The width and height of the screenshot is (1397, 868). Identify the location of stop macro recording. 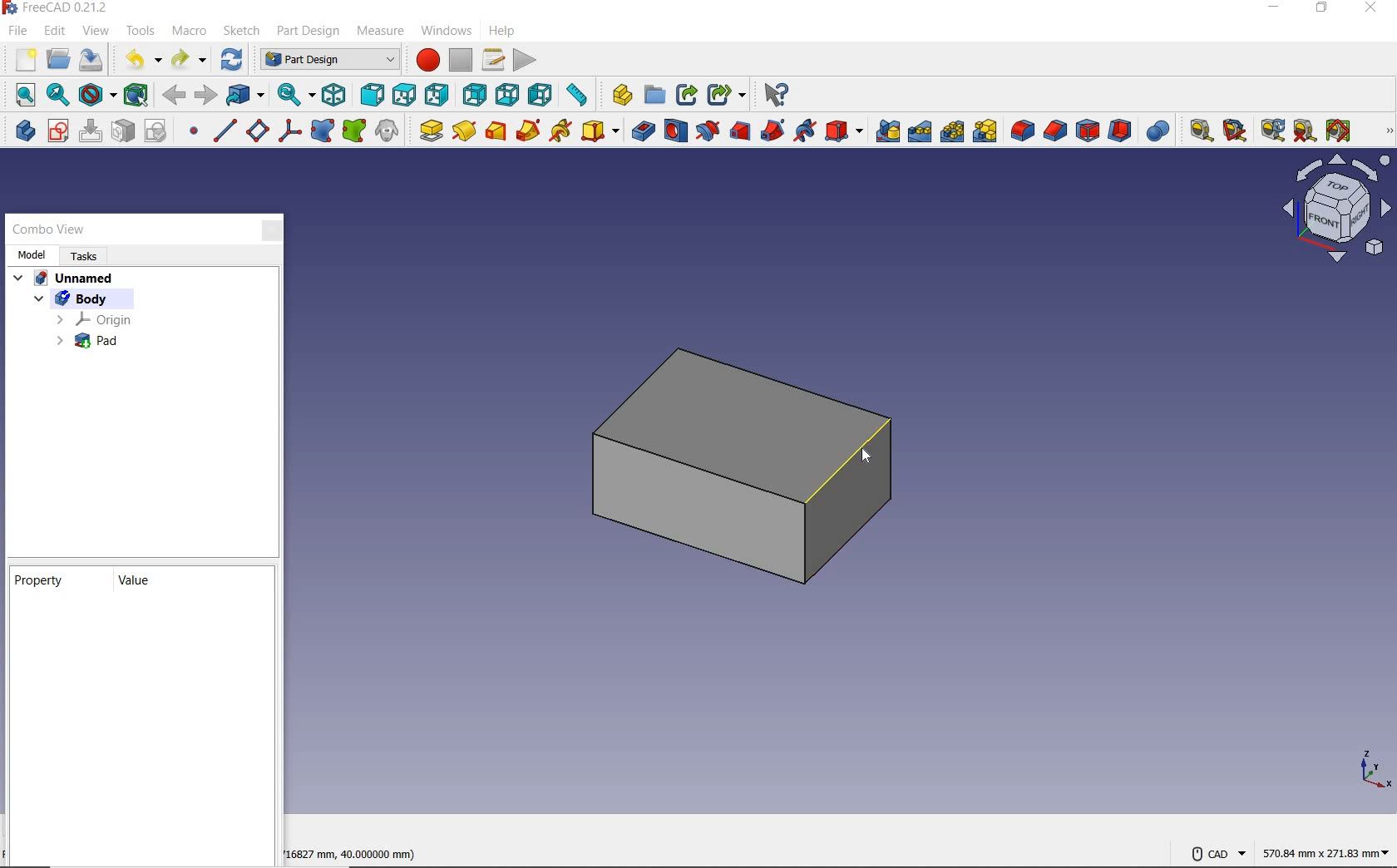
(461, 62).